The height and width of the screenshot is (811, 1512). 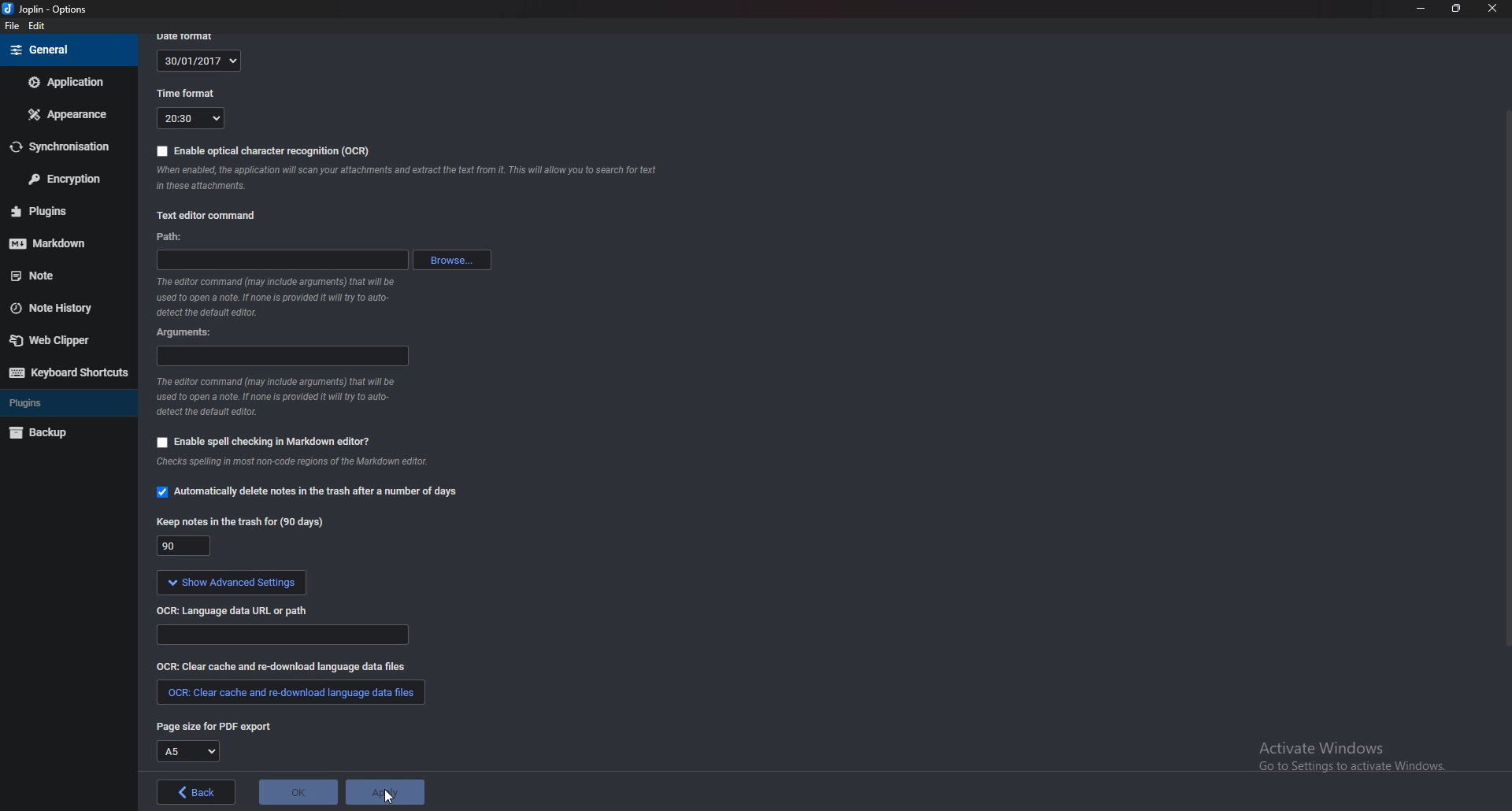 I want to click on Web clipper, so click(x=61, y=340).